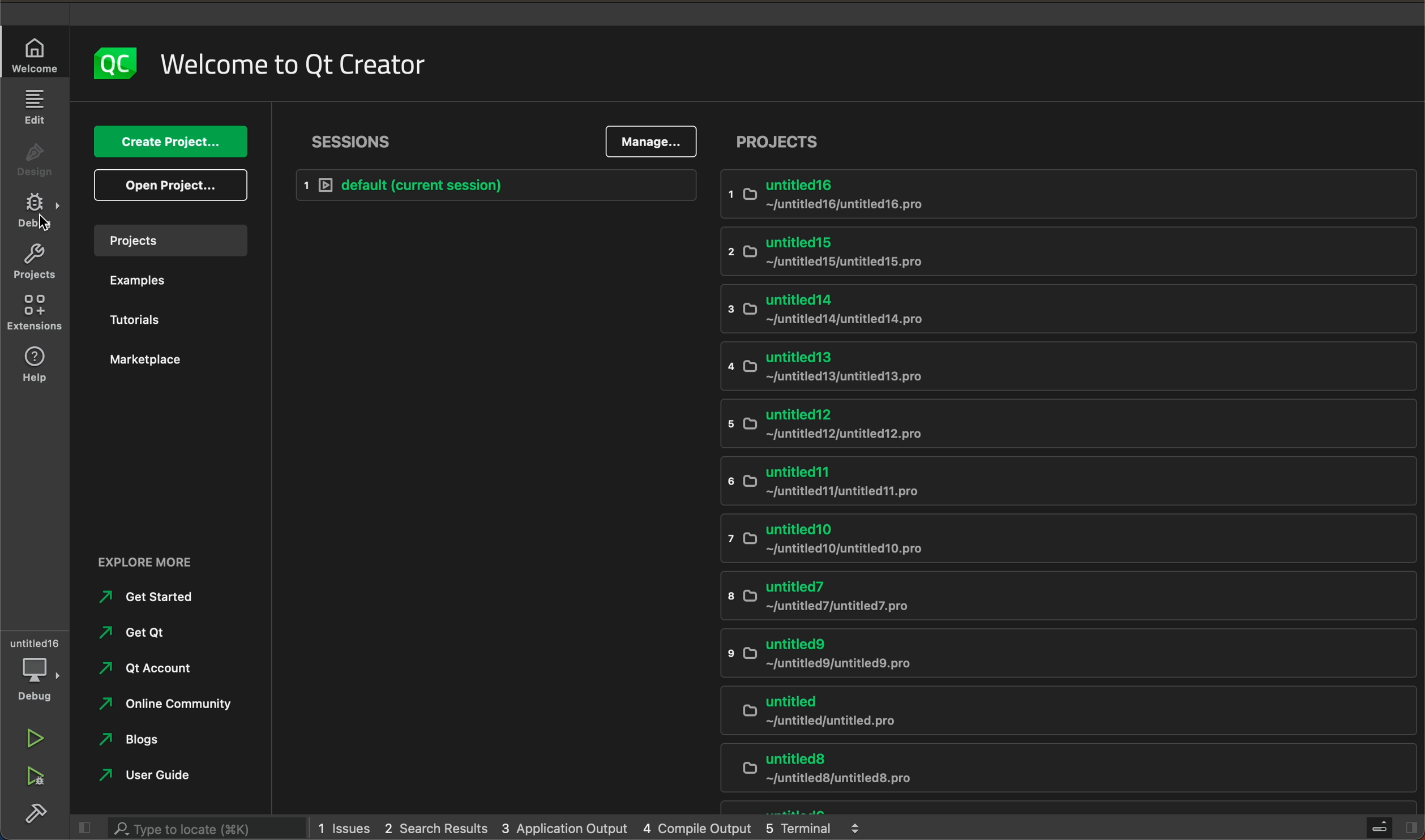  What do you see at coordinates (170, 239) in the screenshot?
I see `projects` at bounding box center [170, 239].